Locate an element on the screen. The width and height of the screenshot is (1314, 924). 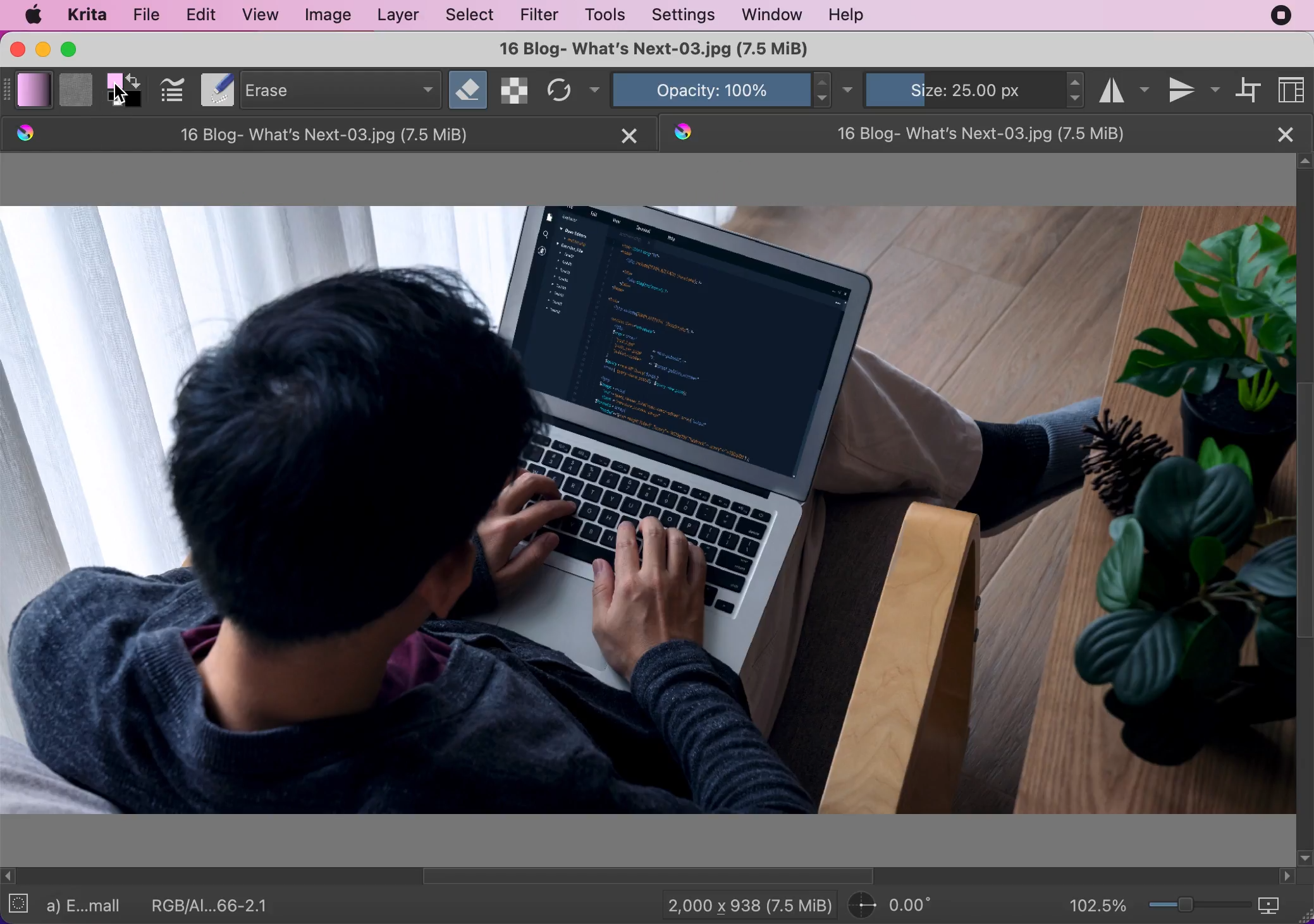
RGB/AI...66-2.1 is located at coordinates (212, 904).